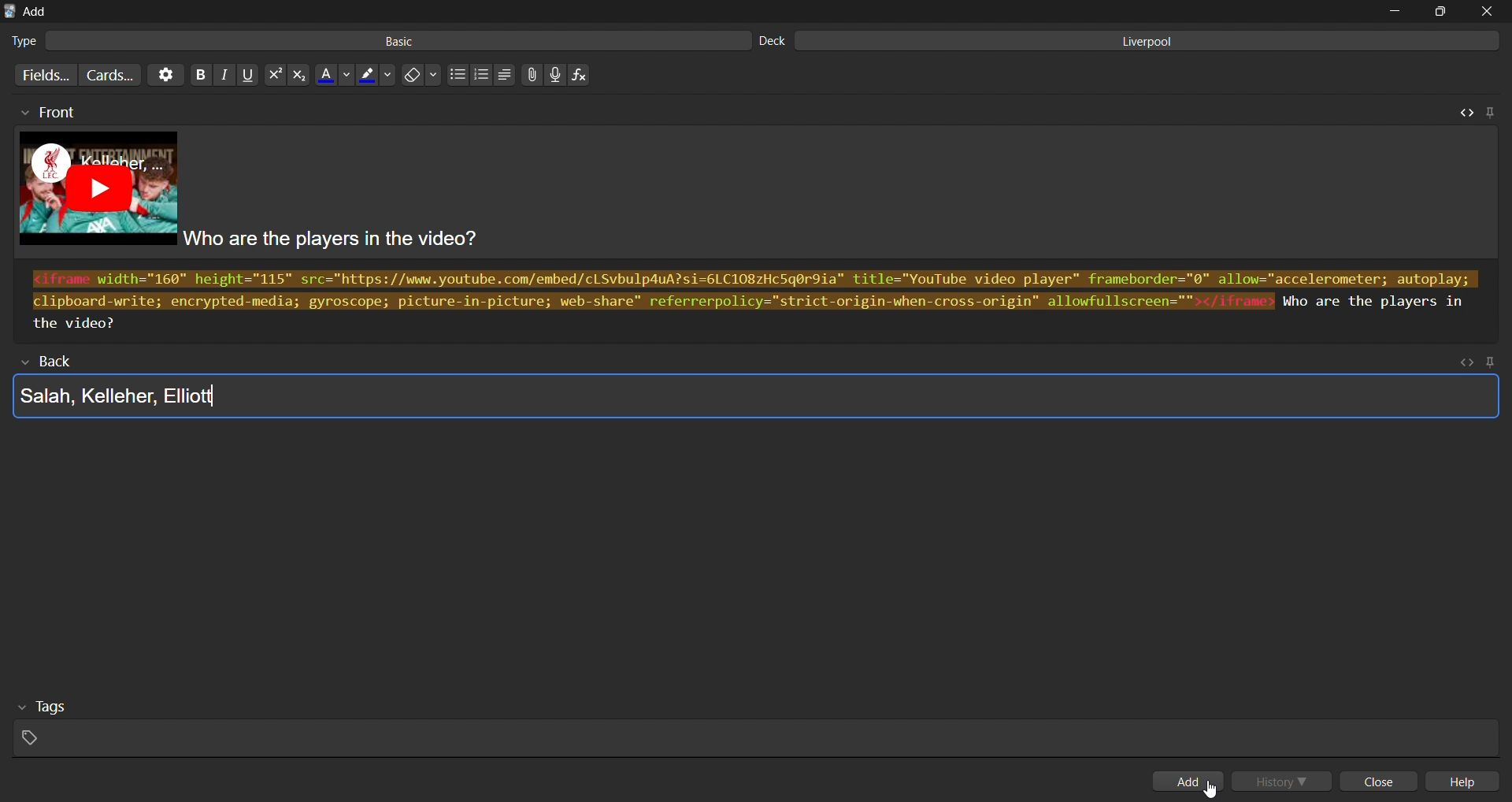  Describe the element at coordinates (481, 75) in the screenshot. I see `ordered list` at that location.